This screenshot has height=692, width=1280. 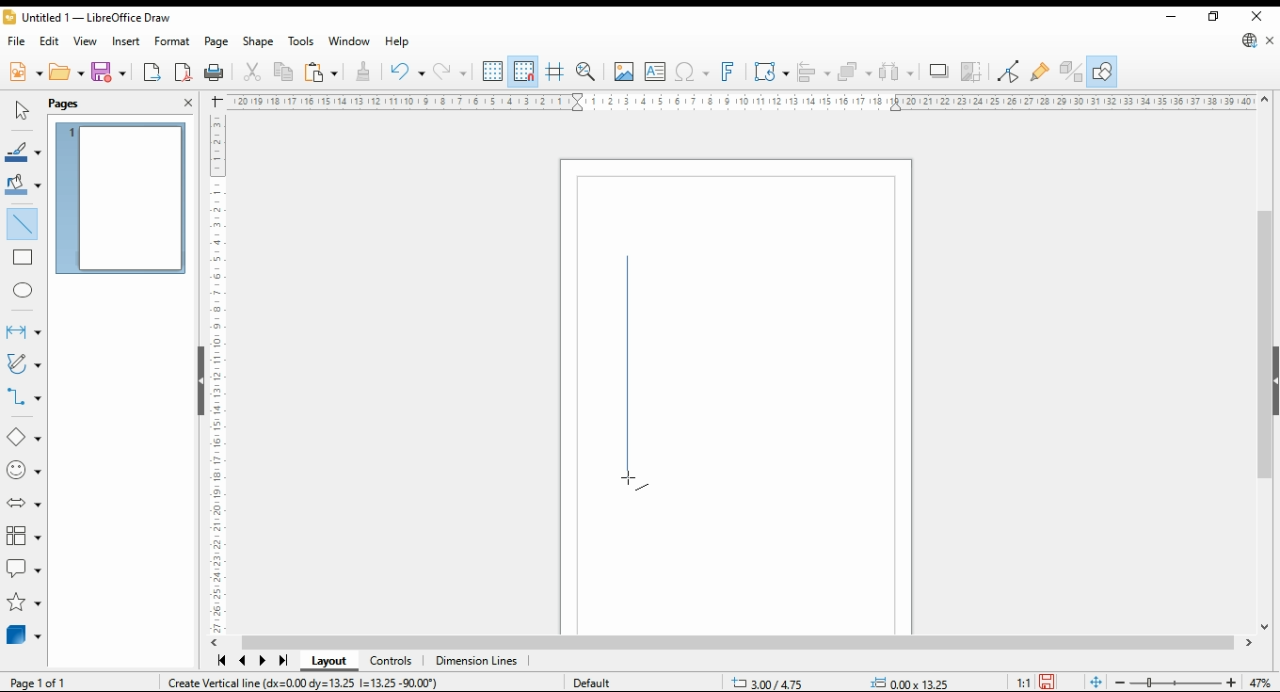 I want to click on -21.15/11.78, so click(x=776, y=684).